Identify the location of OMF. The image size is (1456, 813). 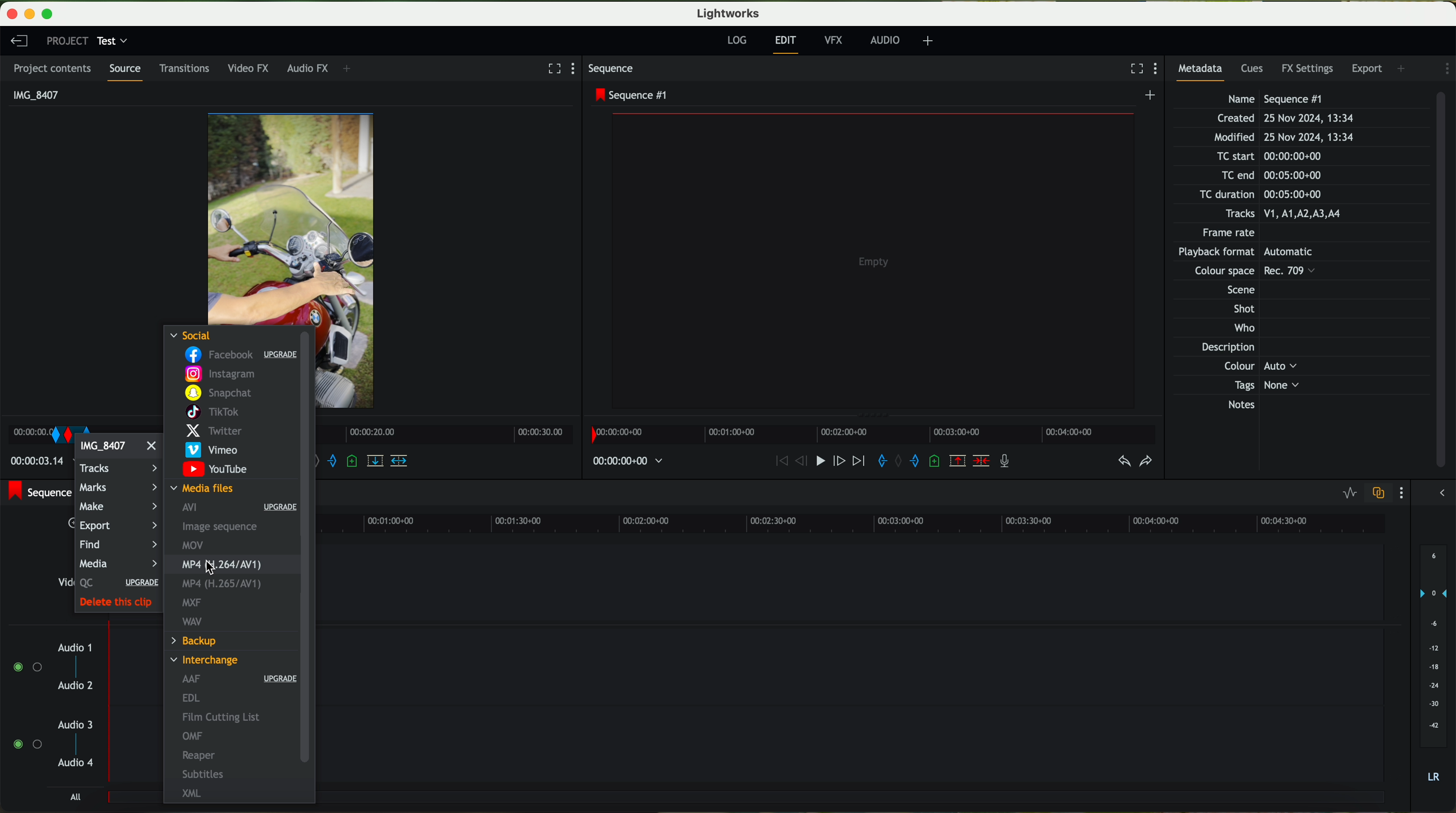
(193, 736).